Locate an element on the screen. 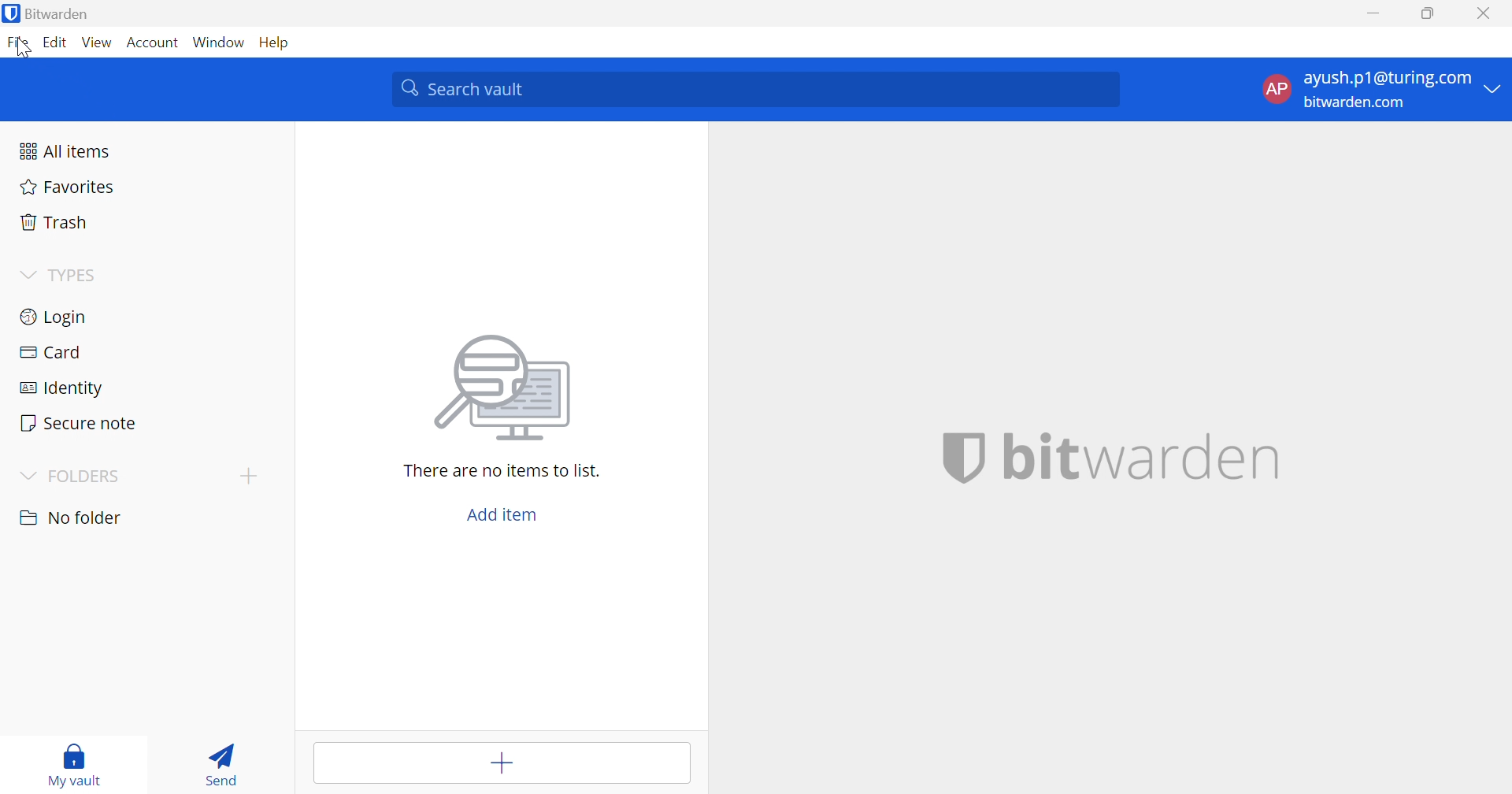  Help is located at coordinates (276, 42).